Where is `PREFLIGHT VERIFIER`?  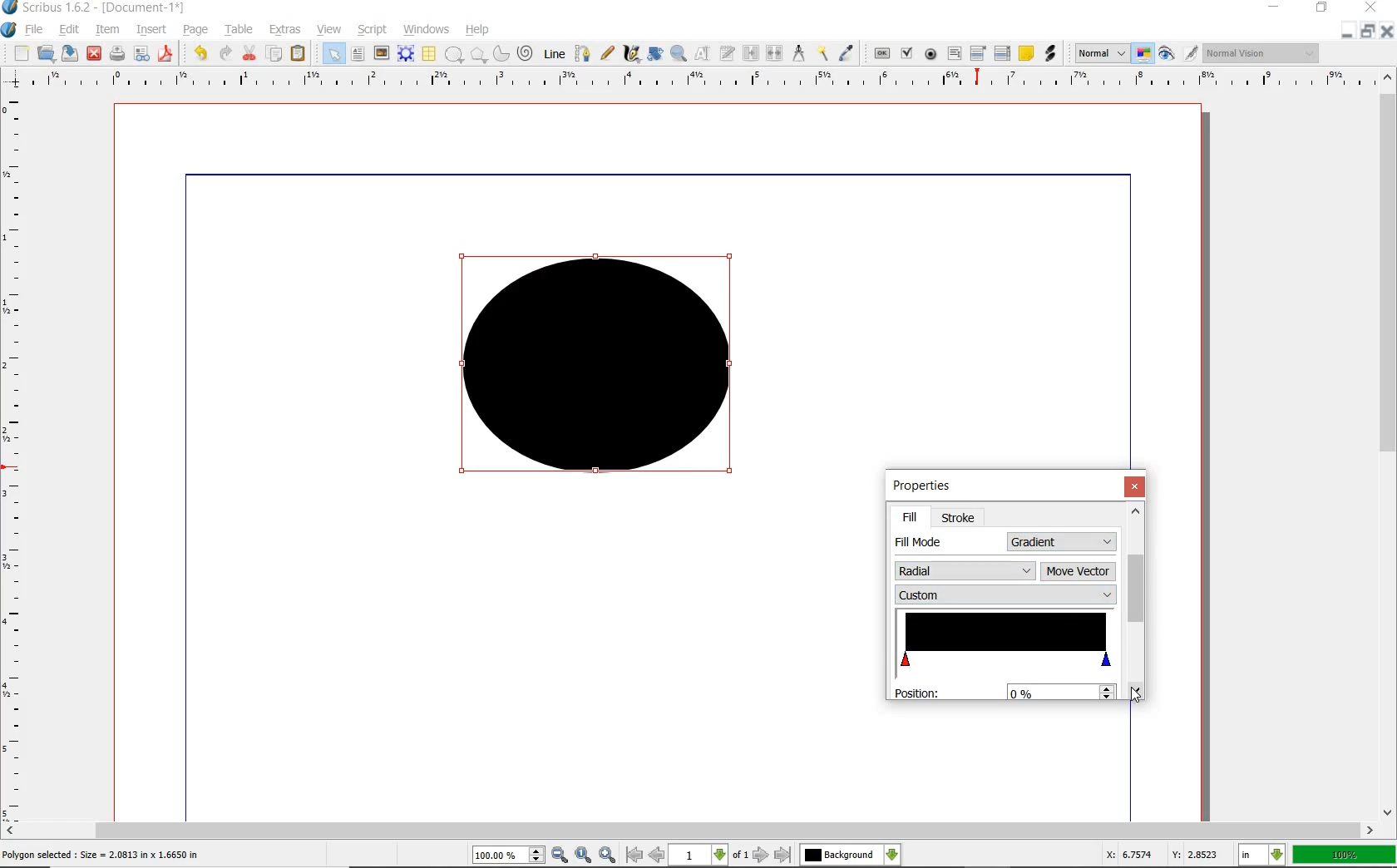
PREFLIGHT VERIFIER is located at coordinates (141, 52).